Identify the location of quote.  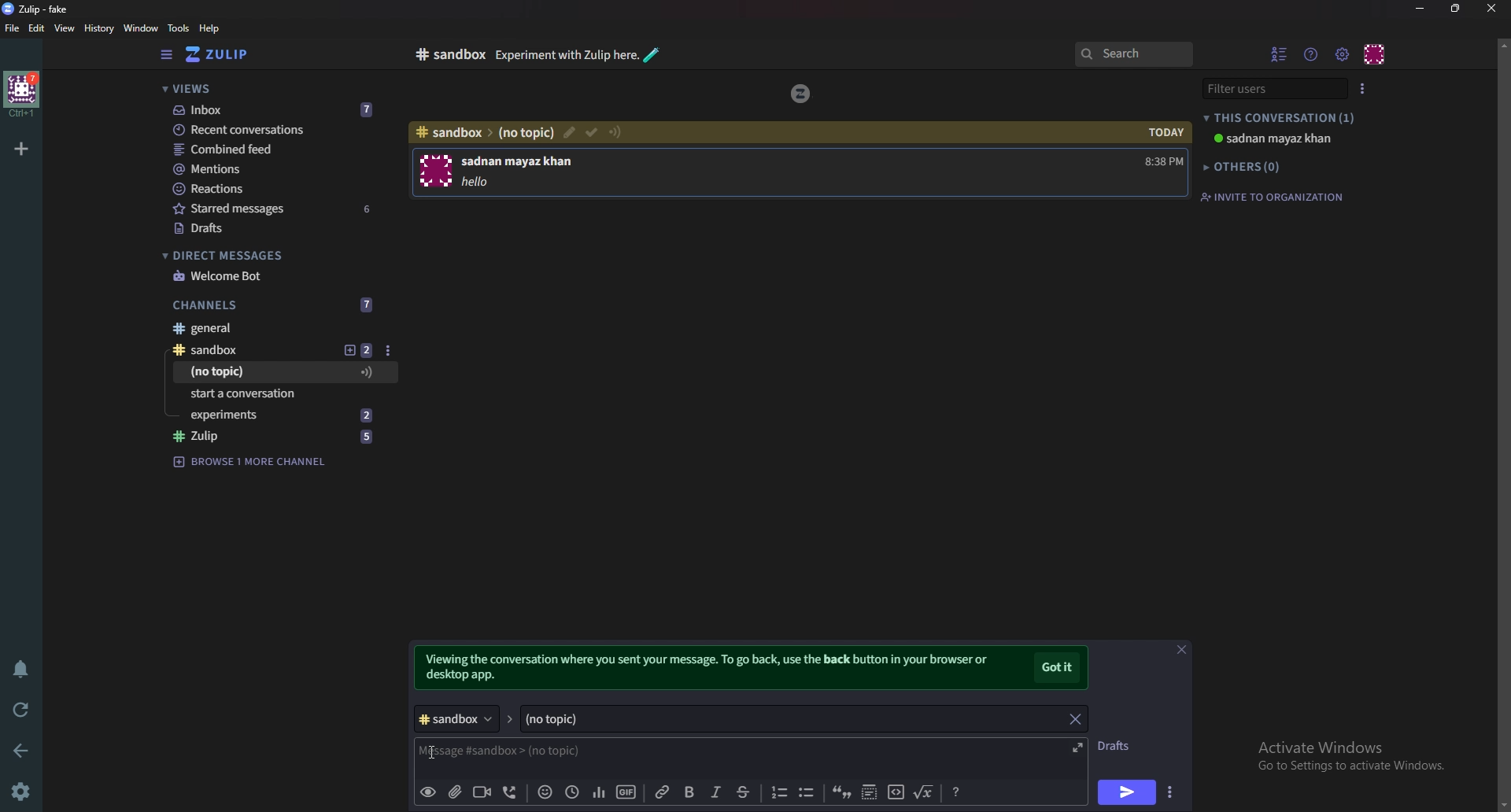
(840, 792).